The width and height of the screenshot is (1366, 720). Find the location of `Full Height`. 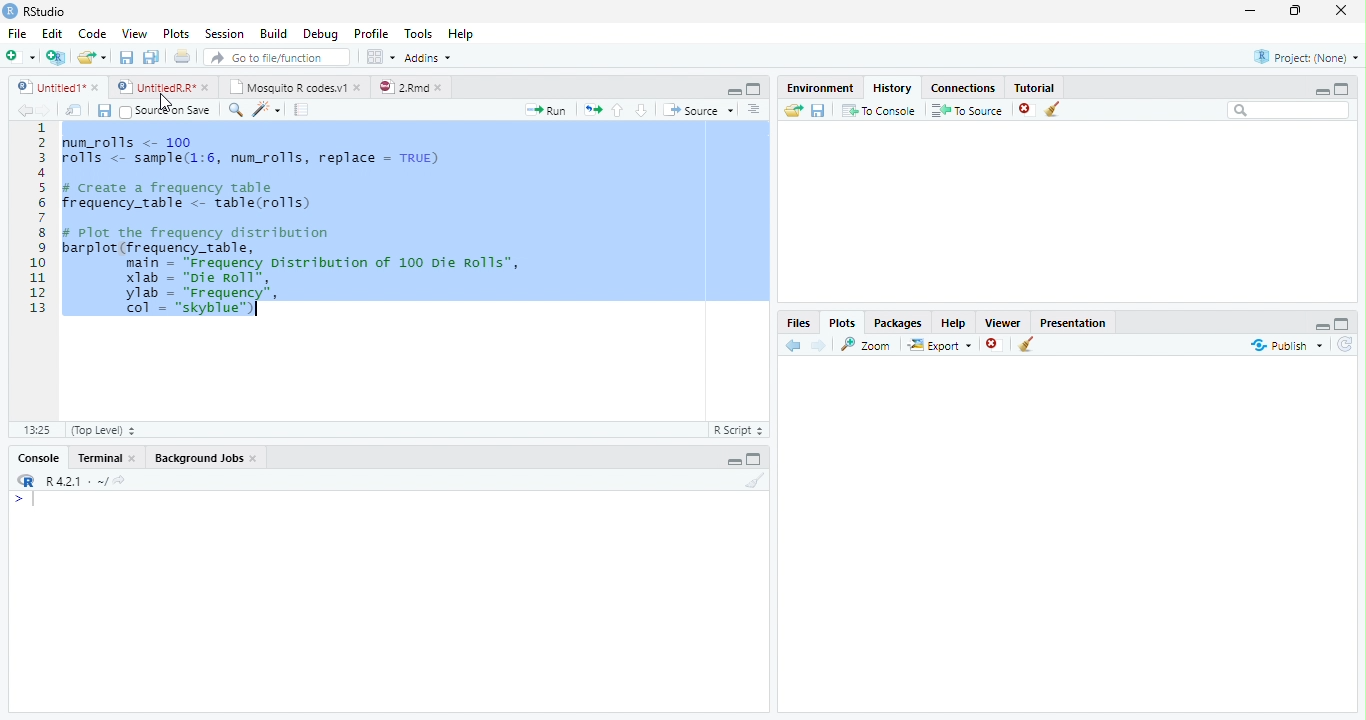

Full Height is located at coordinates (1344, 89).